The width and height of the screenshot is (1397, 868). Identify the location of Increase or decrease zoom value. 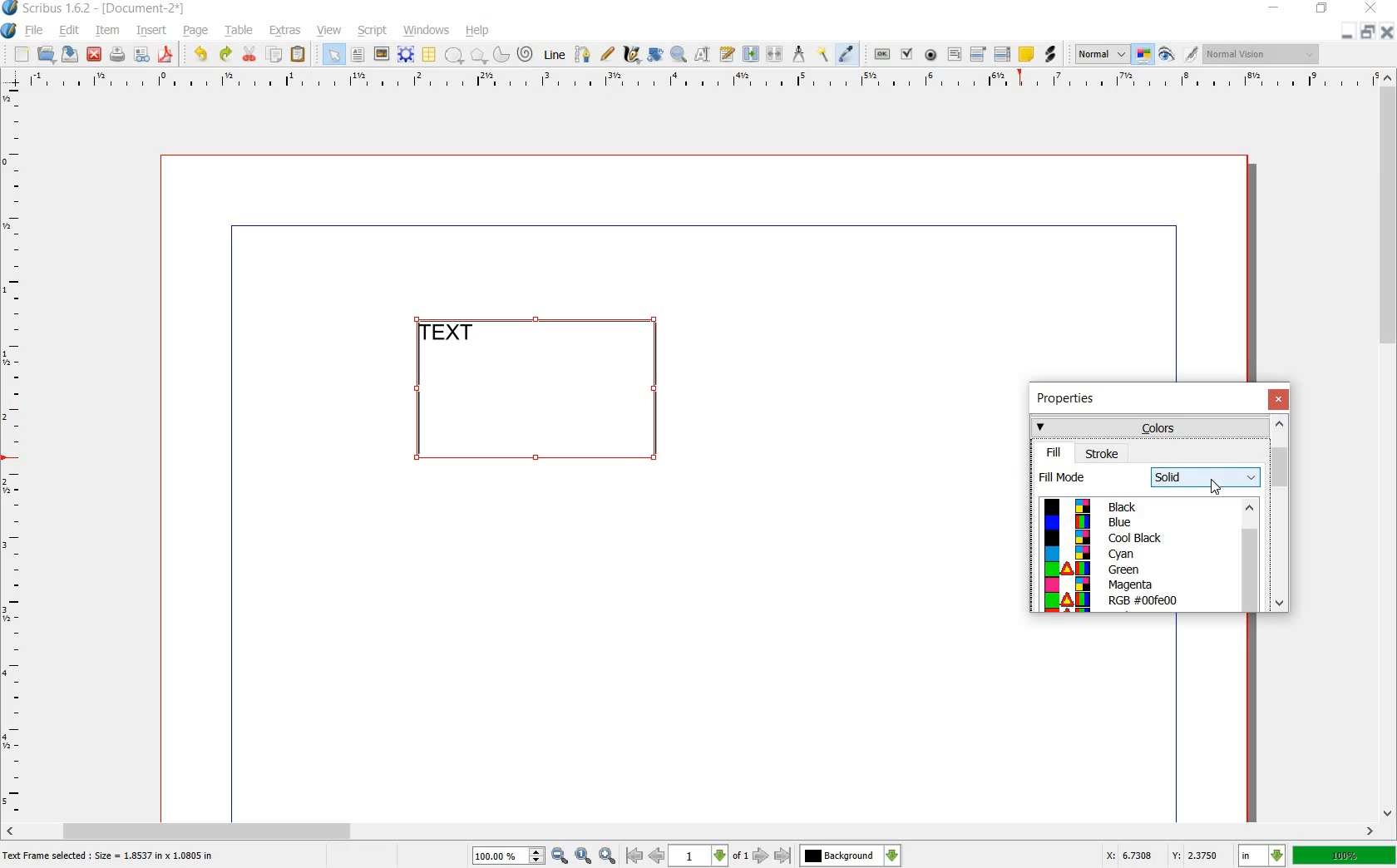
(537, 856).